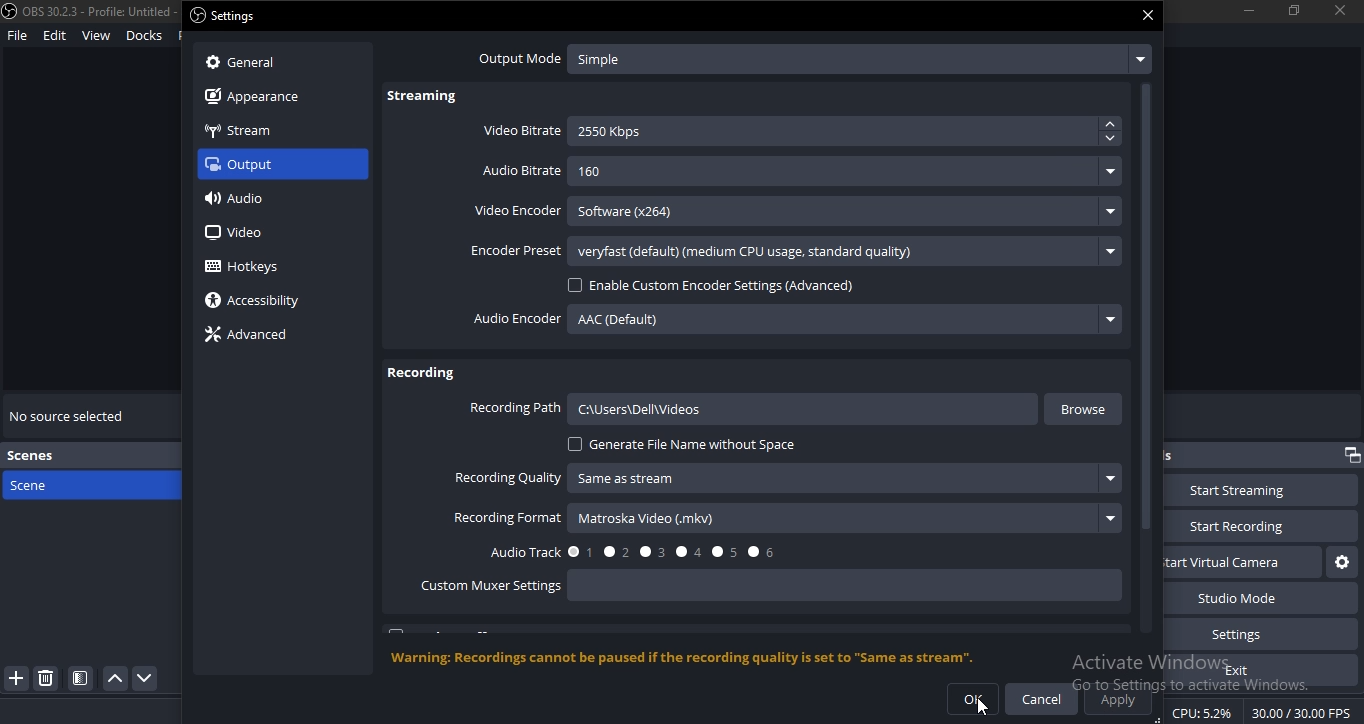 The width and height of the screenshot is (1364, 724). What do you see at coordinates (17, 679) in the screenshot?
I see `add scene` at bounding box center [17, 679].